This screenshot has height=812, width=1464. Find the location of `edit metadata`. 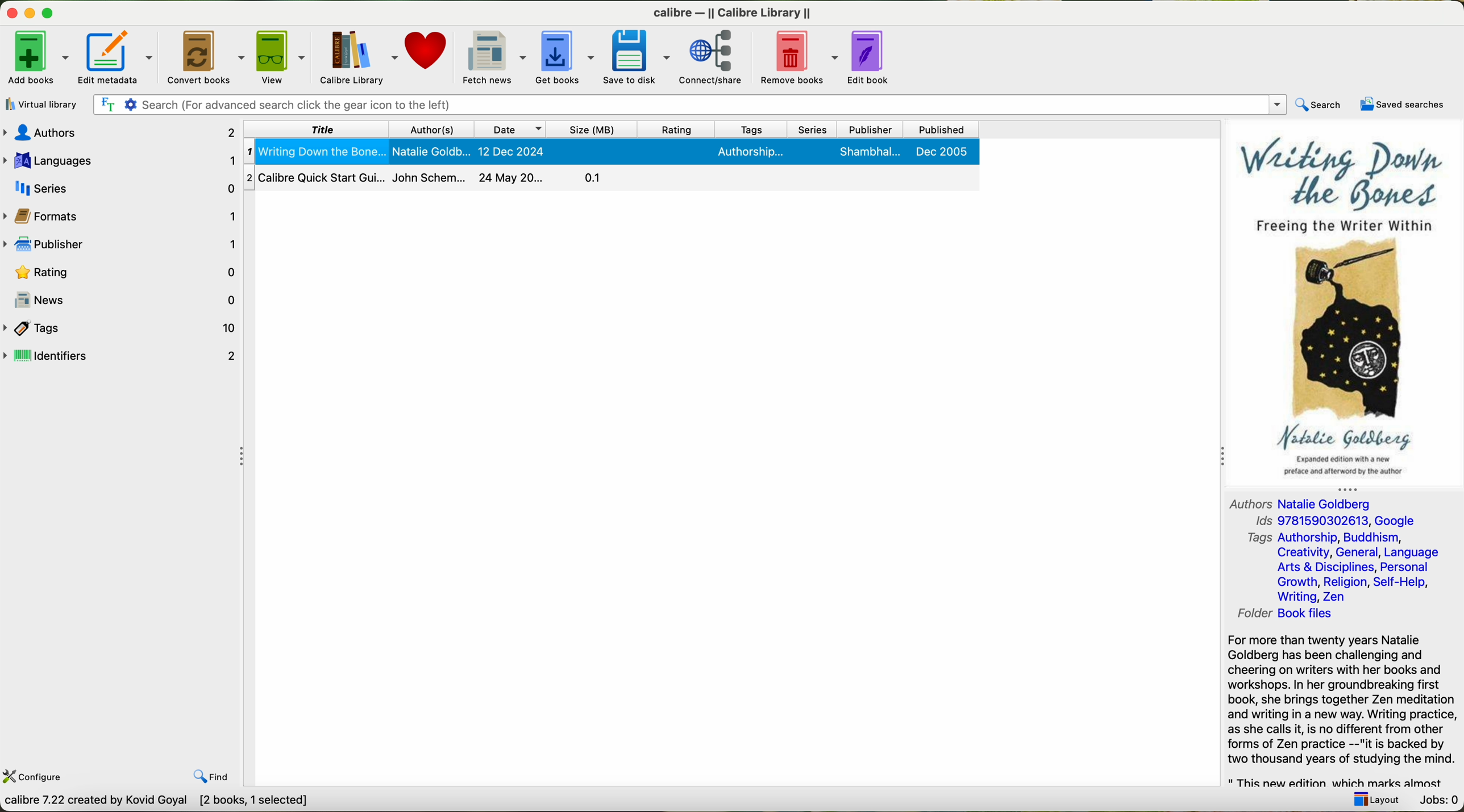

edit metadata is located at coordinates (120, 55).